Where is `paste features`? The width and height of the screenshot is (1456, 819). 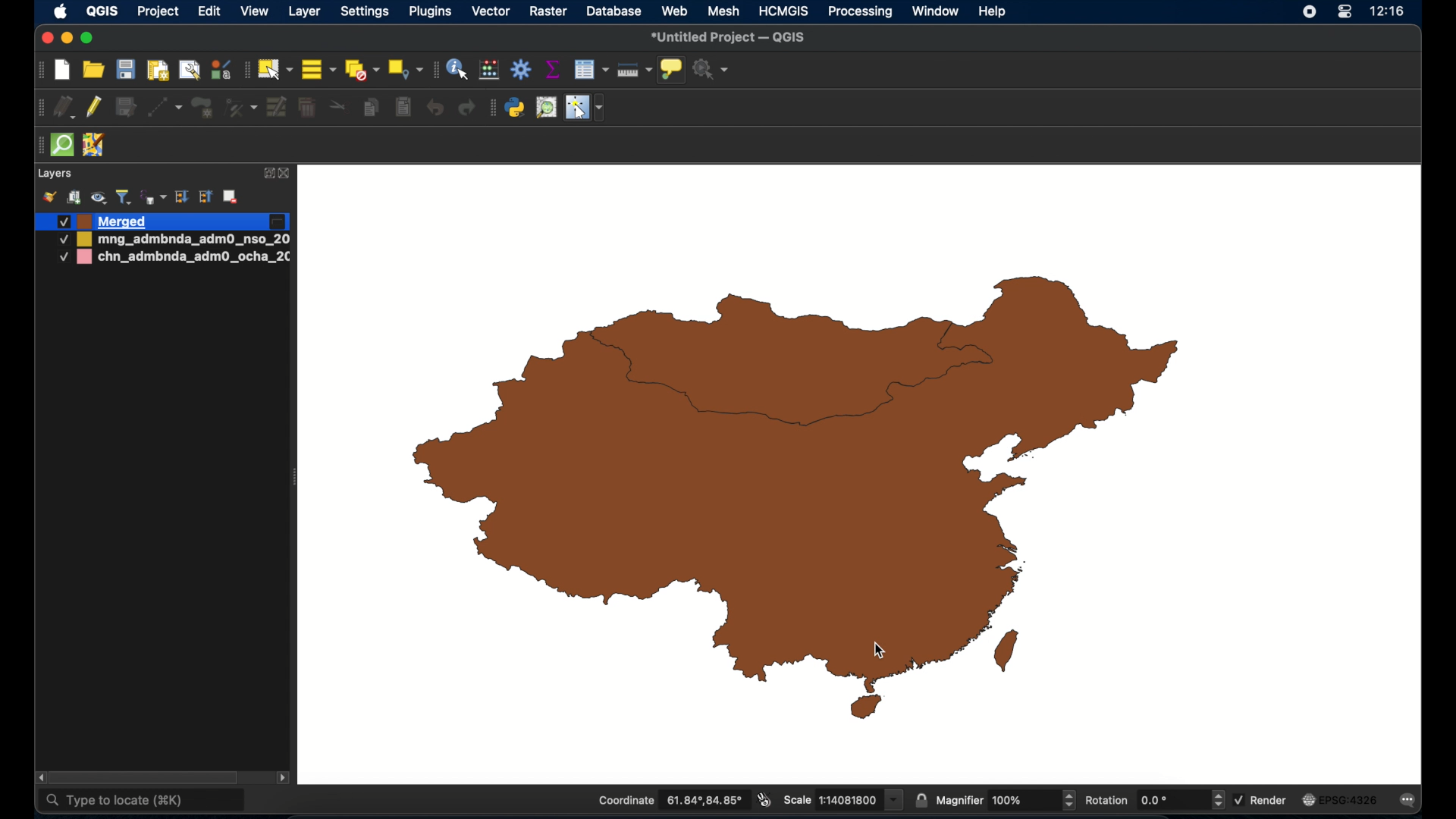
paste features is located at coordinates (402, 106).